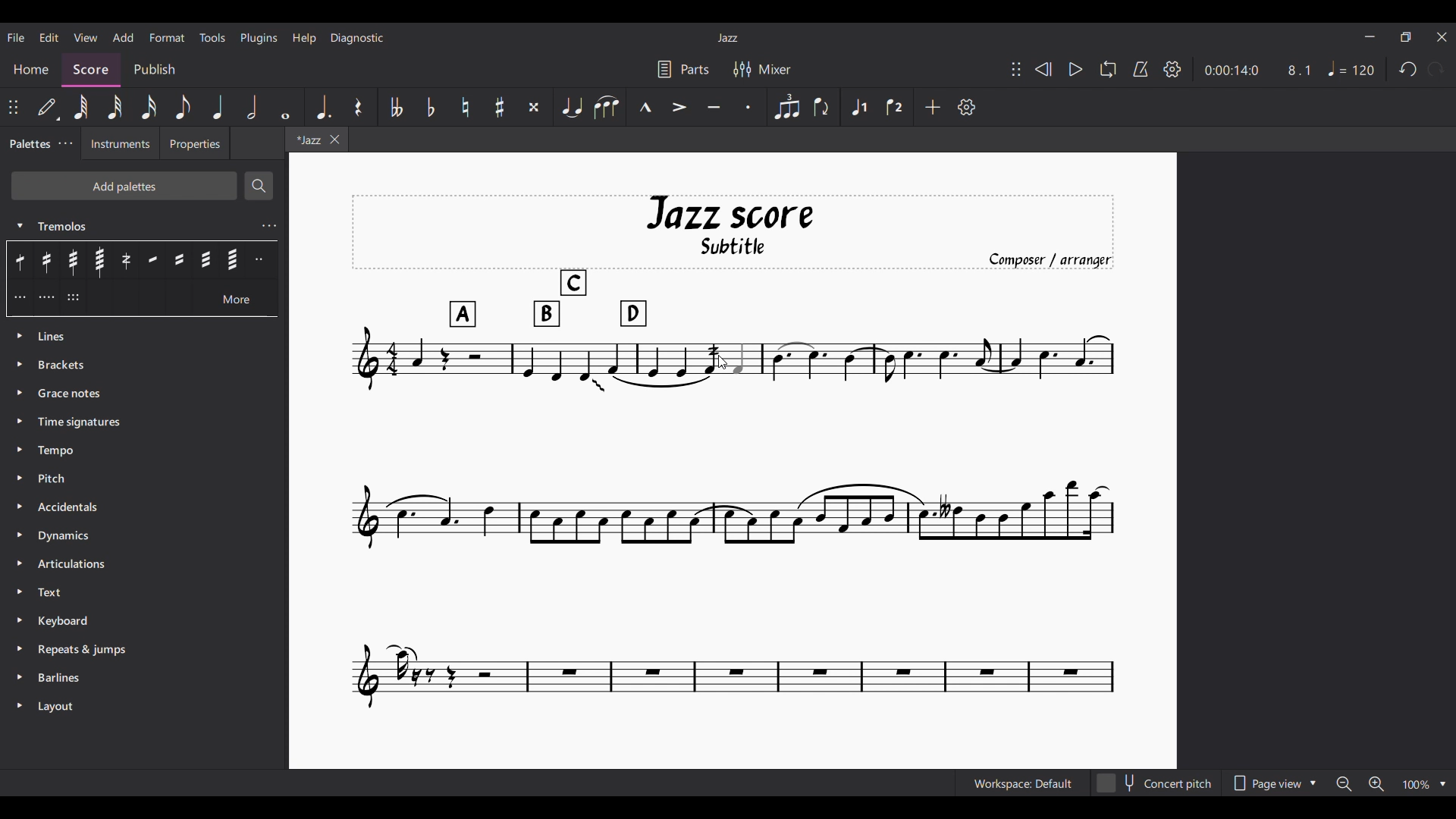  What do you see at coordinates (148, 107) in the screenshot?
I see `16th note` at bounding box center [148, 107].